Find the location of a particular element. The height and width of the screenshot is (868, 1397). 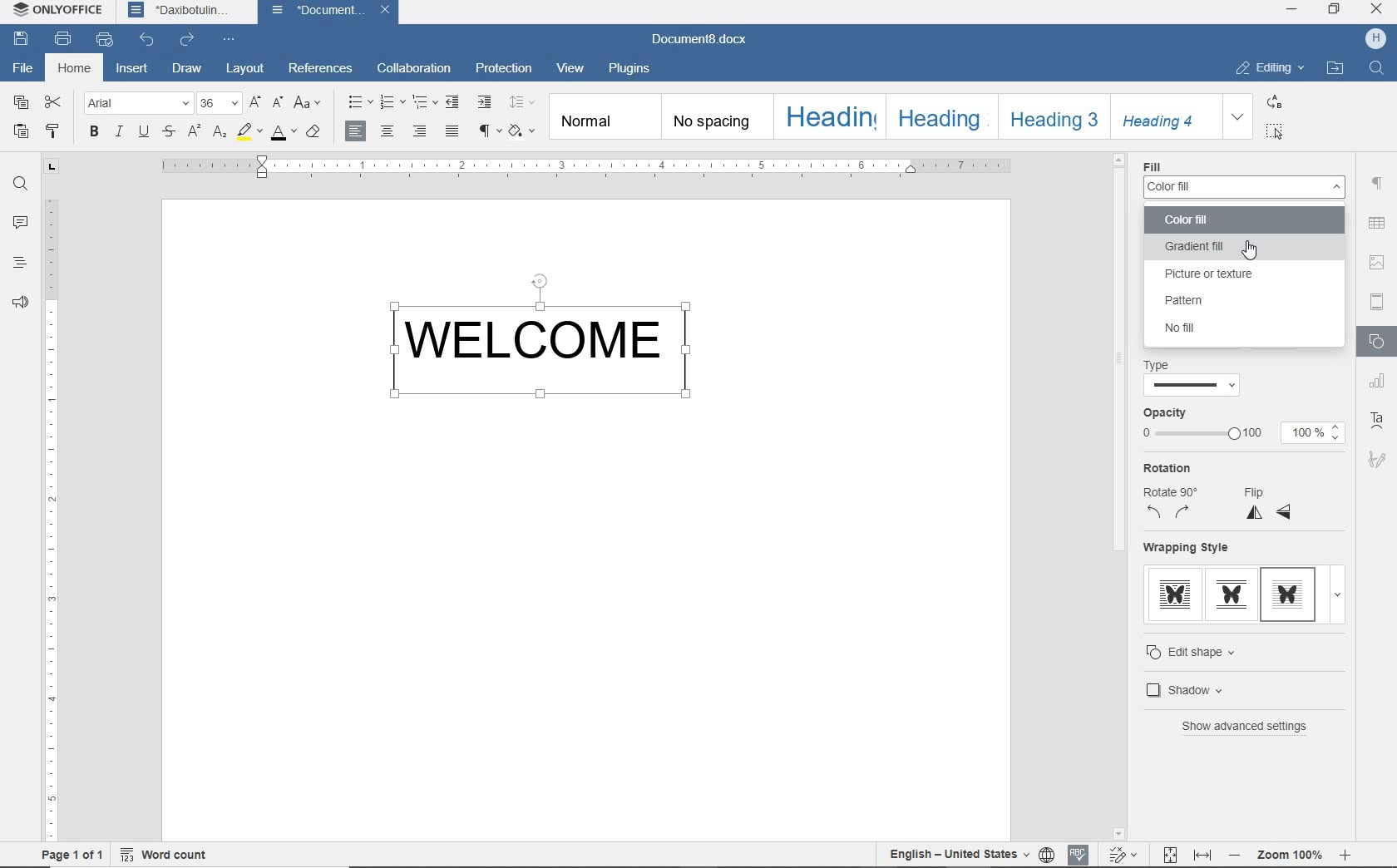

HEADING 3 is located at coordinates (1050, 116).